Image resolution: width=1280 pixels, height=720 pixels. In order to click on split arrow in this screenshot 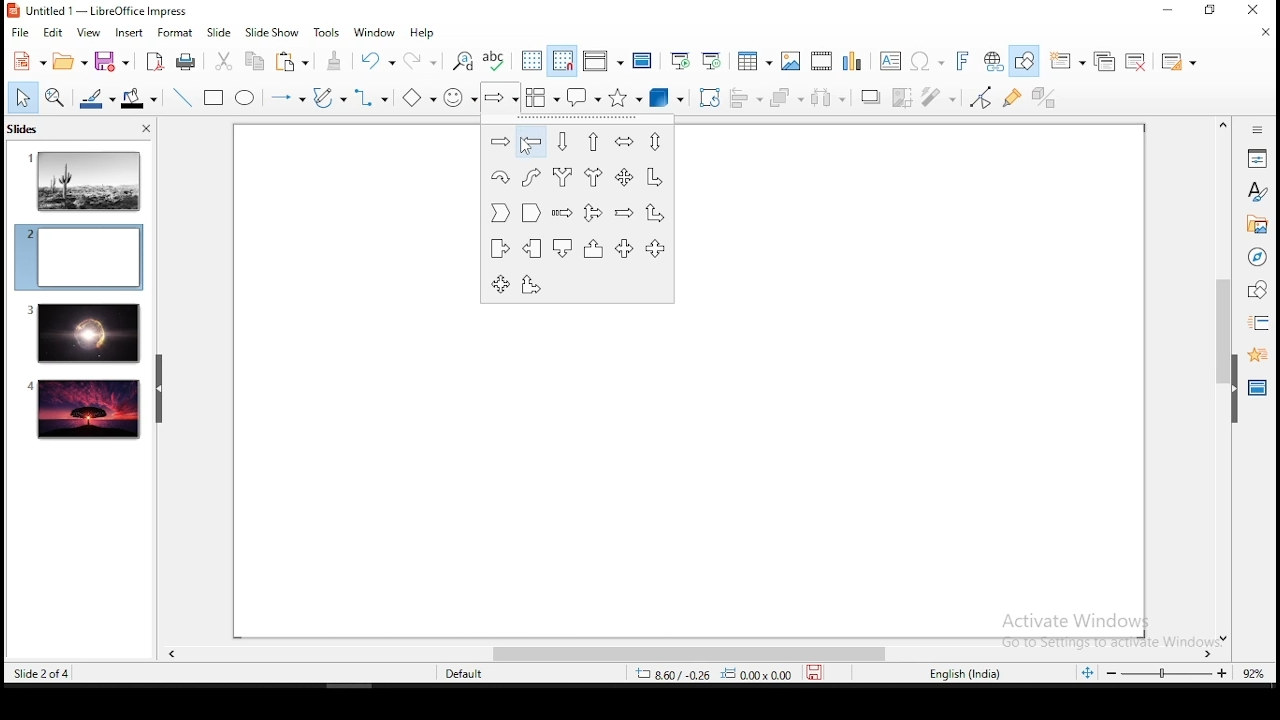, I will do `click(564, 177)`.